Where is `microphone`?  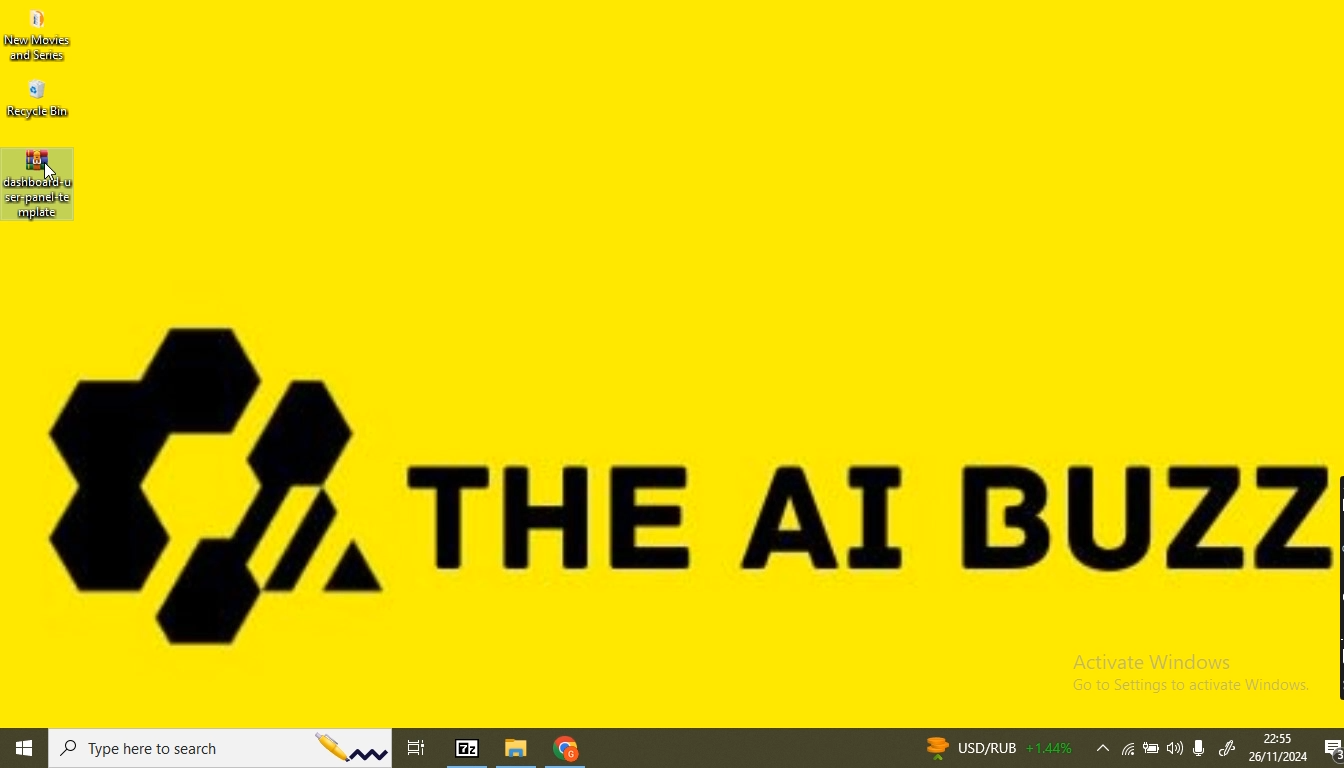
microphone is located at coordinates (1204, 746).